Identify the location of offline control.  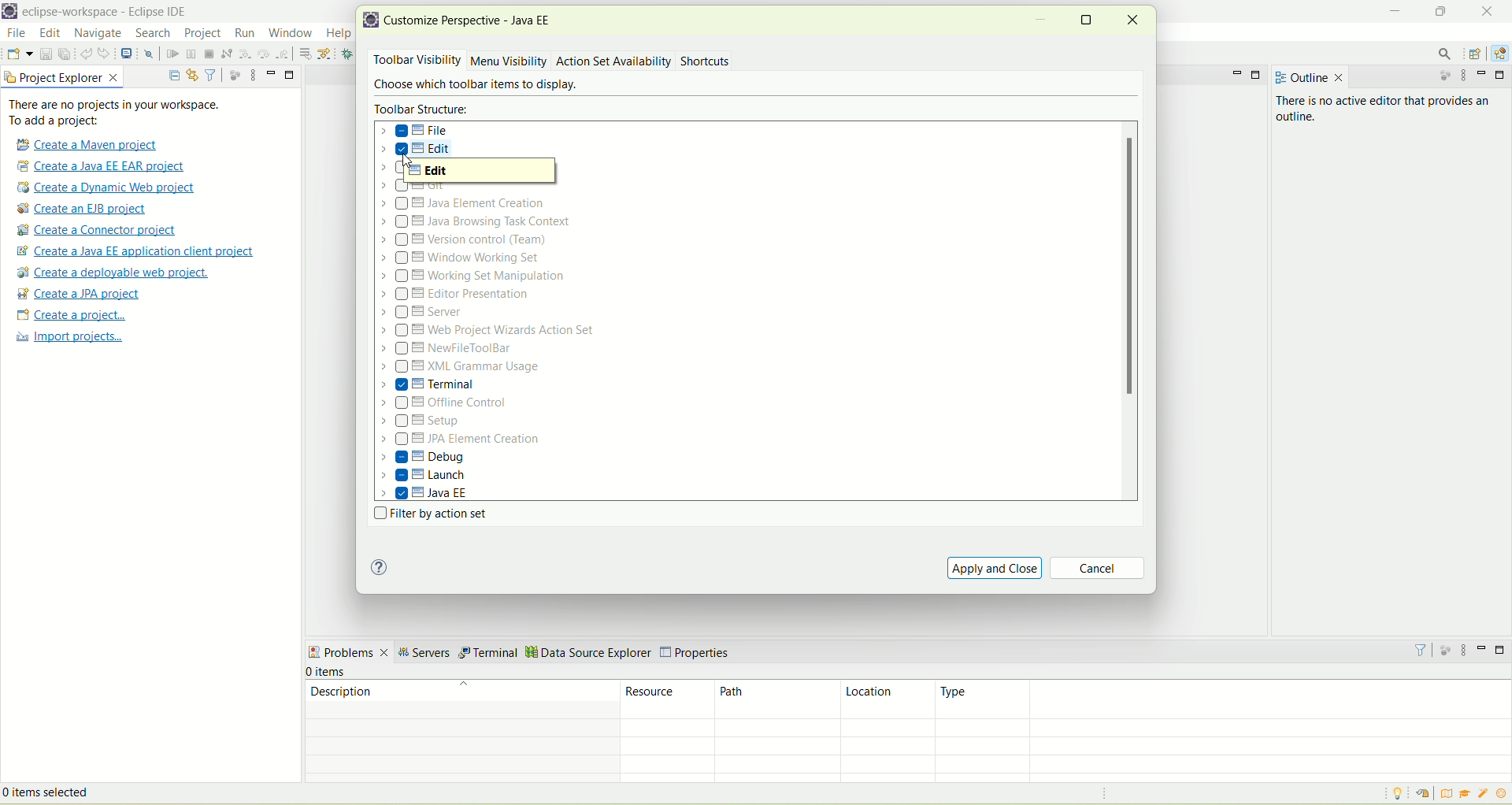
(442, 403).